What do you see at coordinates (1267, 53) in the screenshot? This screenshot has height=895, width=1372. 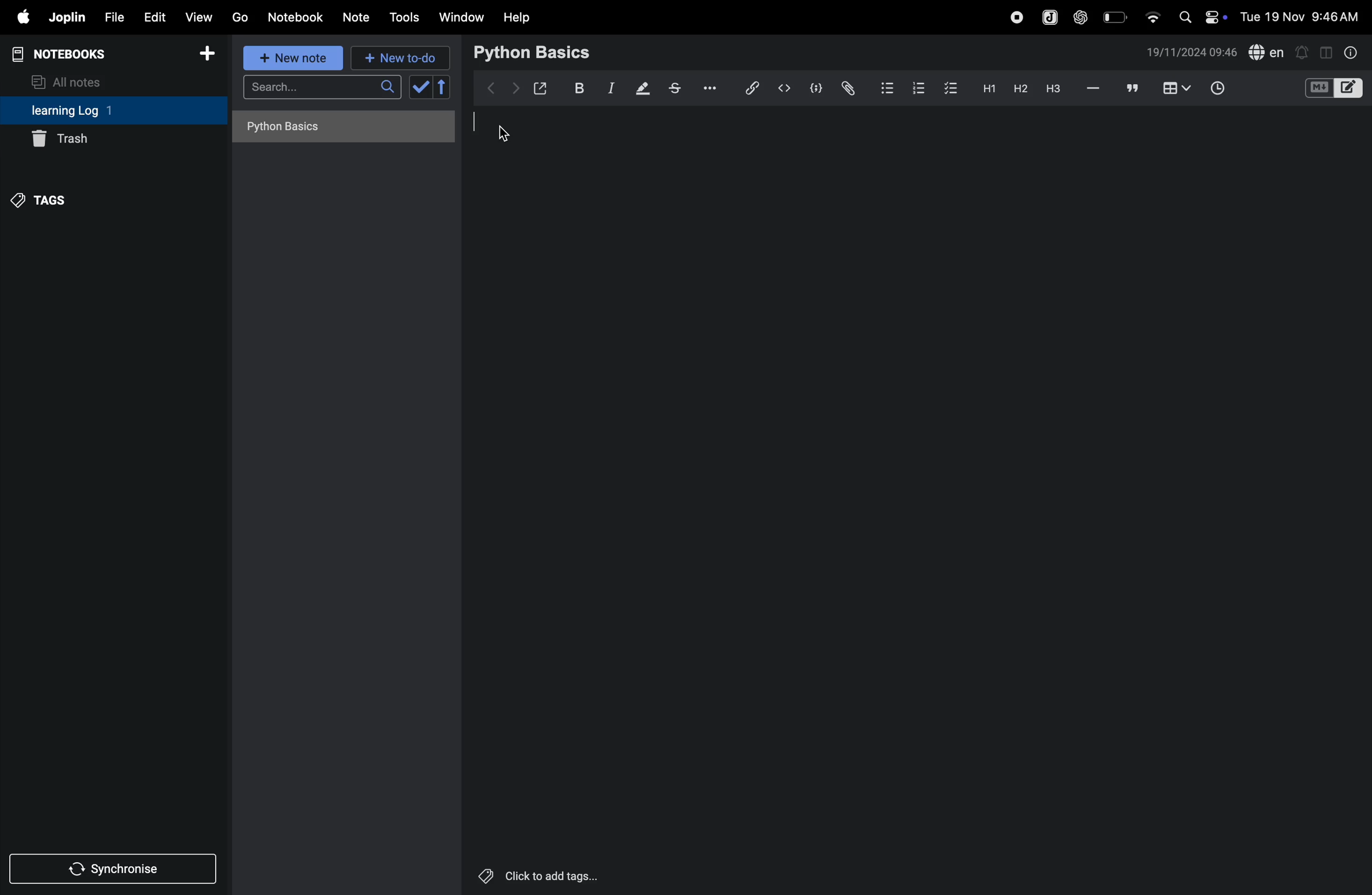 I see `spell check` at bounding box center [1267, 53].